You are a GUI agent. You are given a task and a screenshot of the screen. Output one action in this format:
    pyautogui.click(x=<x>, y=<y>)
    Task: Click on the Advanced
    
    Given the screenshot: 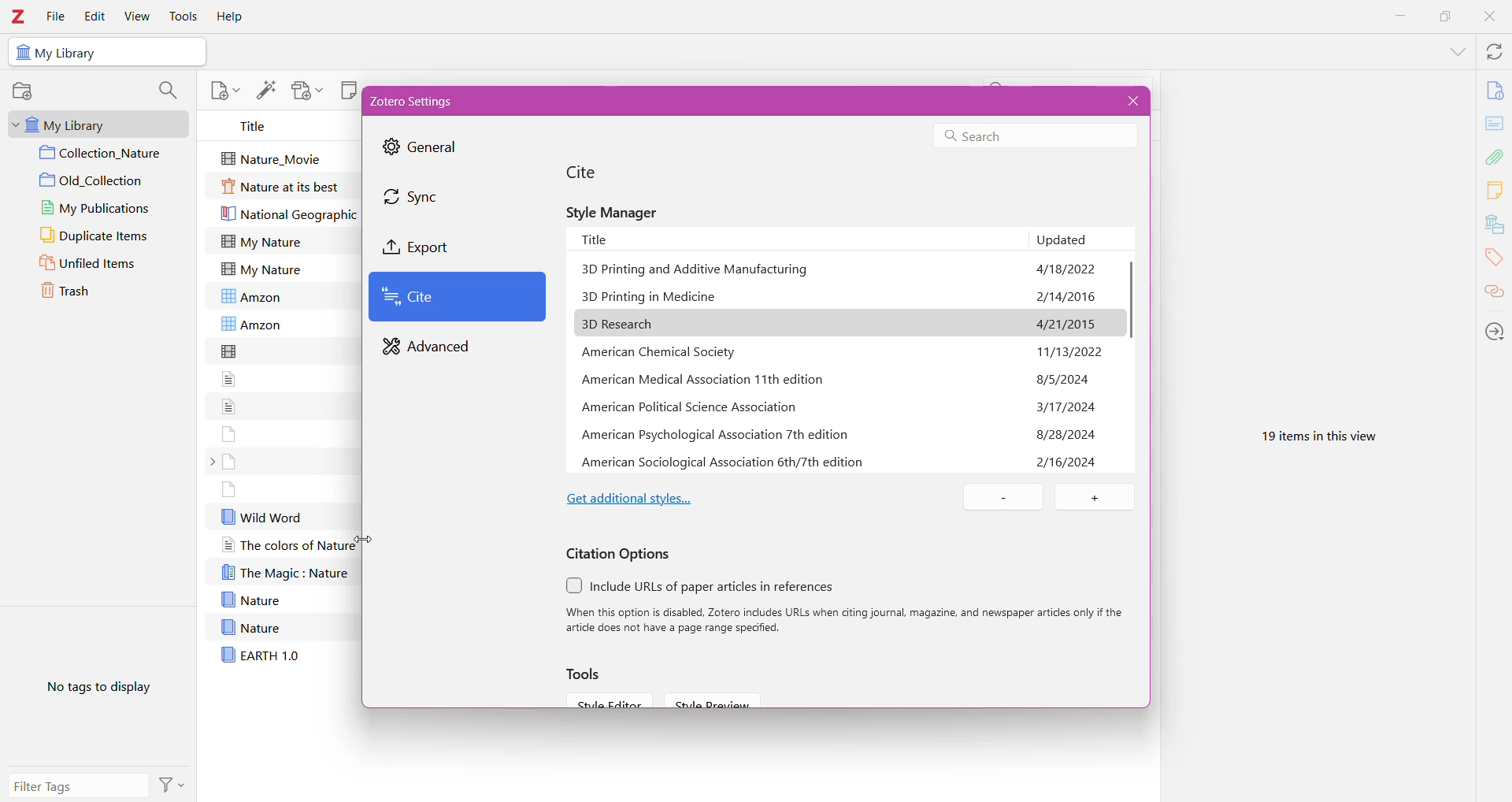 What is the action you would take?
    pyautogui.click(x=431, y=347)
    